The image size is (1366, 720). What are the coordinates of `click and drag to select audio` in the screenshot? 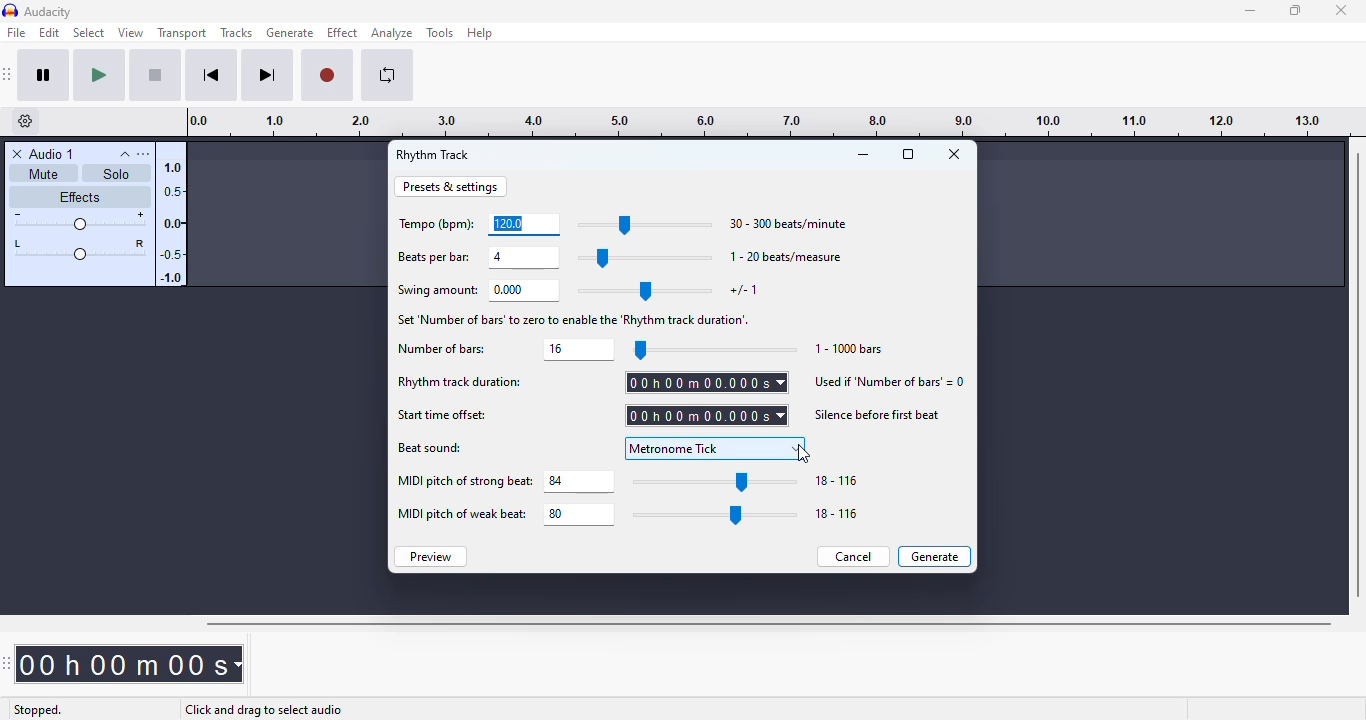 It's located at (264, 709).